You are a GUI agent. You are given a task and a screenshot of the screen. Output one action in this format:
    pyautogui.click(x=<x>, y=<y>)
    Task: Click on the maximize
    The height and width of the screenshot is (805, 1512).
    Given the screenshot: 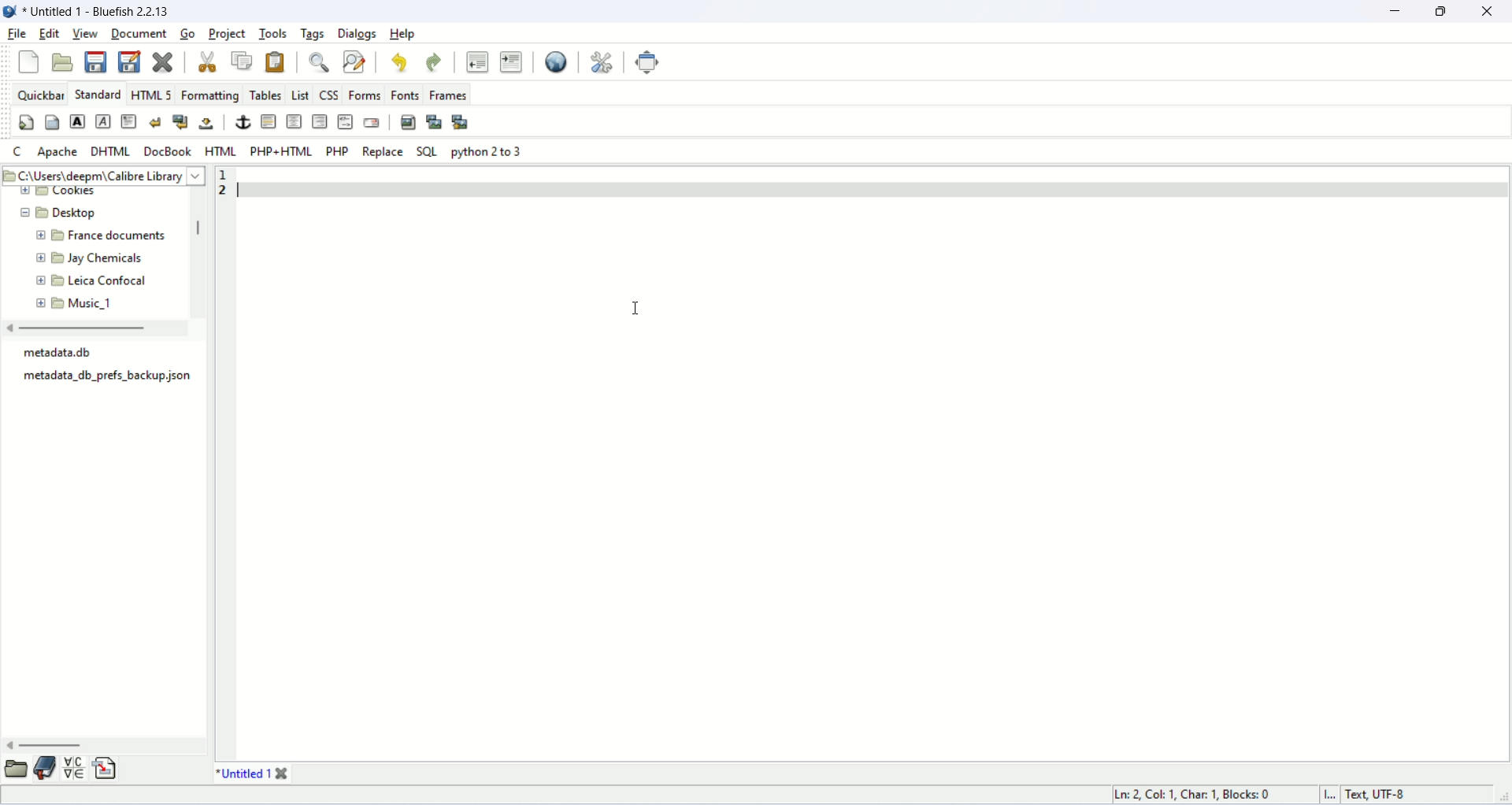 What is the action you would take?
    pyautogui.click(x=1445, y=10)
    